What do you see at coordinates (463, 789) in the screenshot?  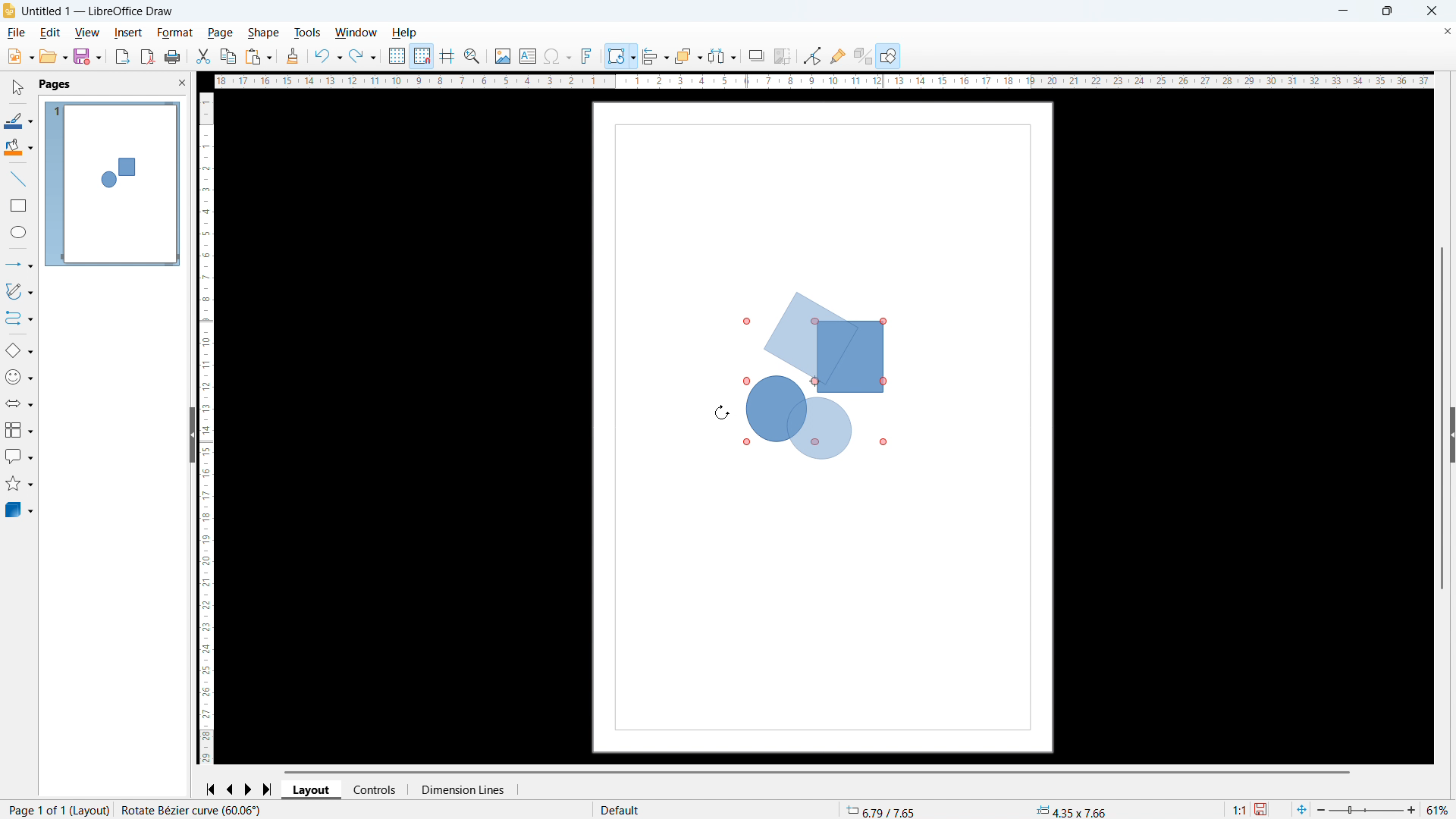 I see `Dimension lines ` at bounding box center [463, 789].